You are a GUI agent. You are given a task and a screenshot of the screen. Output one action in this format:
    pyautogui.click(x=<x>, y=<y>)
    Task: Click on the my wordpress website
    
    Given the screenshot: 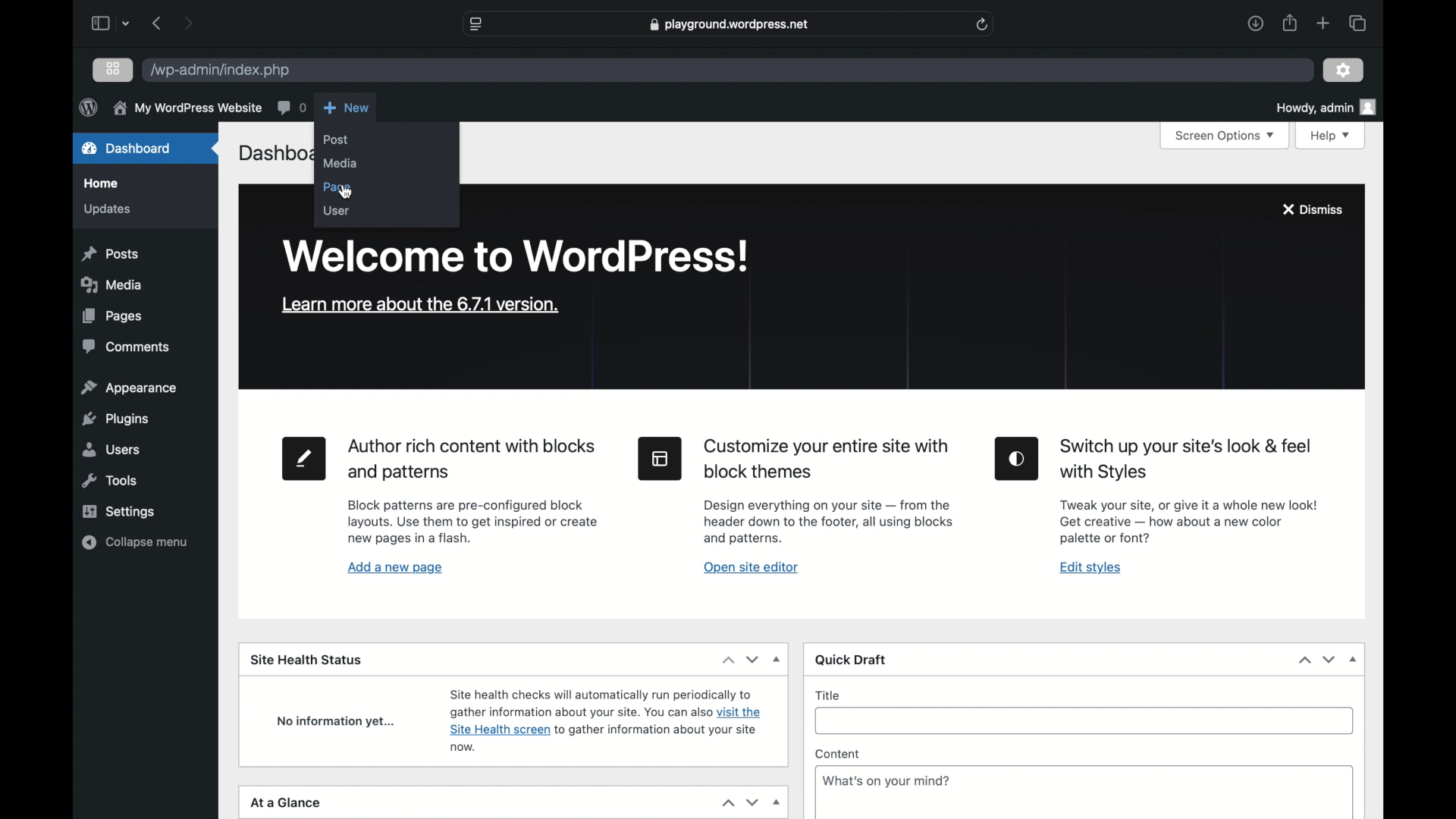 What is the action you would take?
    pyautogui.click(x=188, y=108)
    